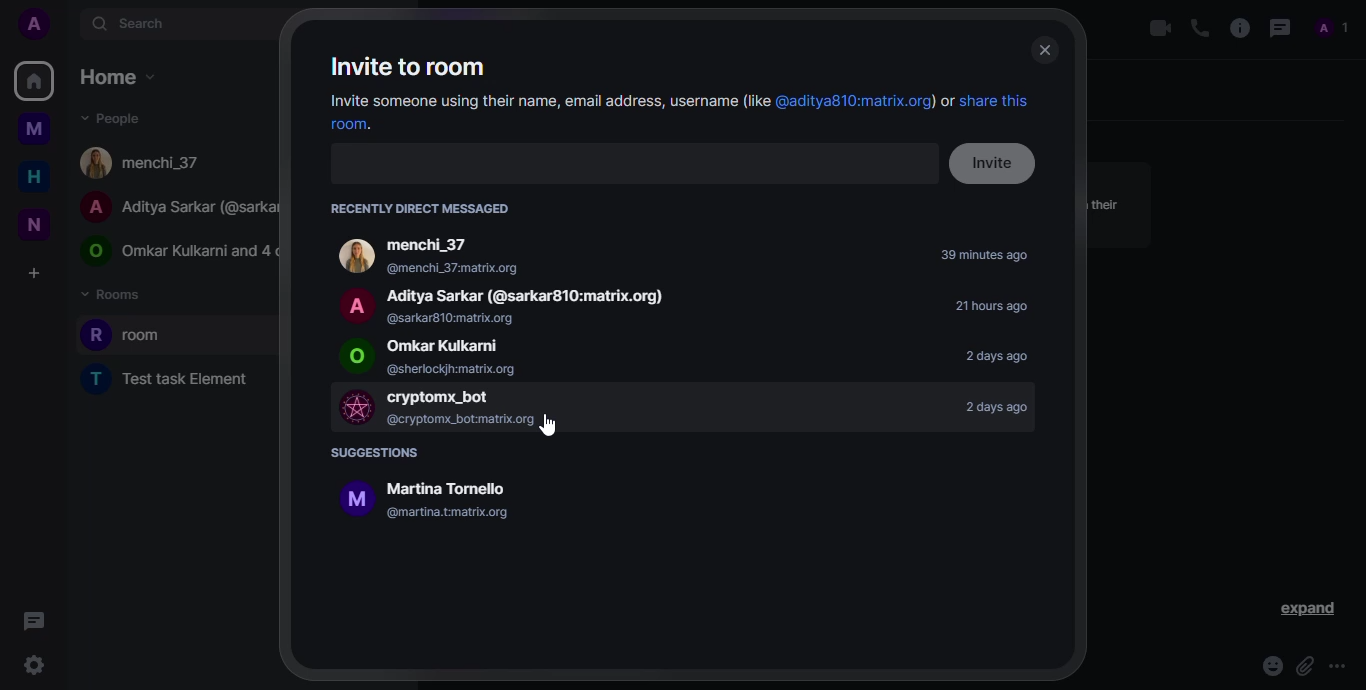 This screenshot has width=1366, height=690. Describe the element at coordinates (1304, 667) in the screenshot. I see `attach` at that location.